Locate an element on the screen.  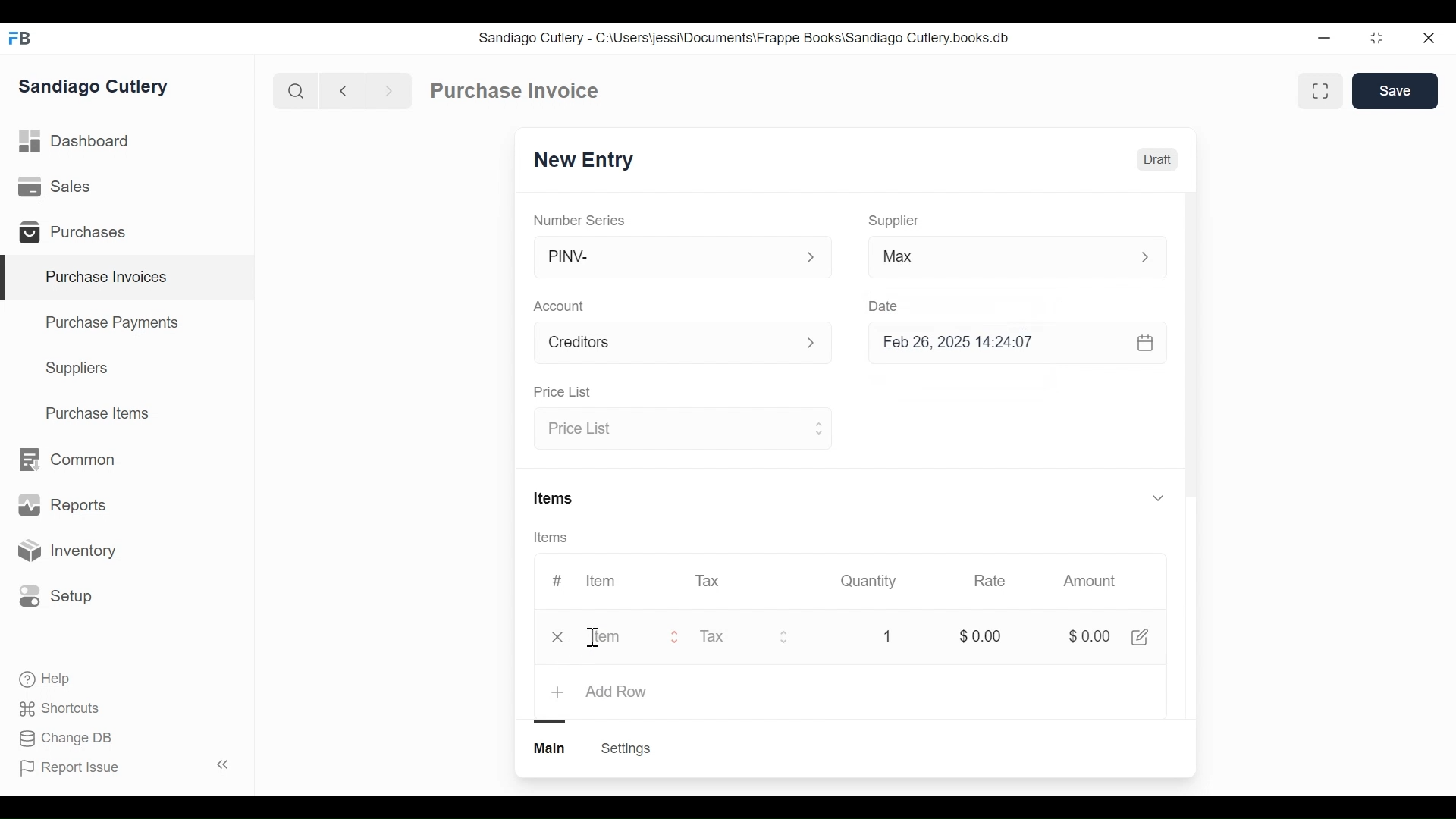
Main is located at coordinates (551, 747).